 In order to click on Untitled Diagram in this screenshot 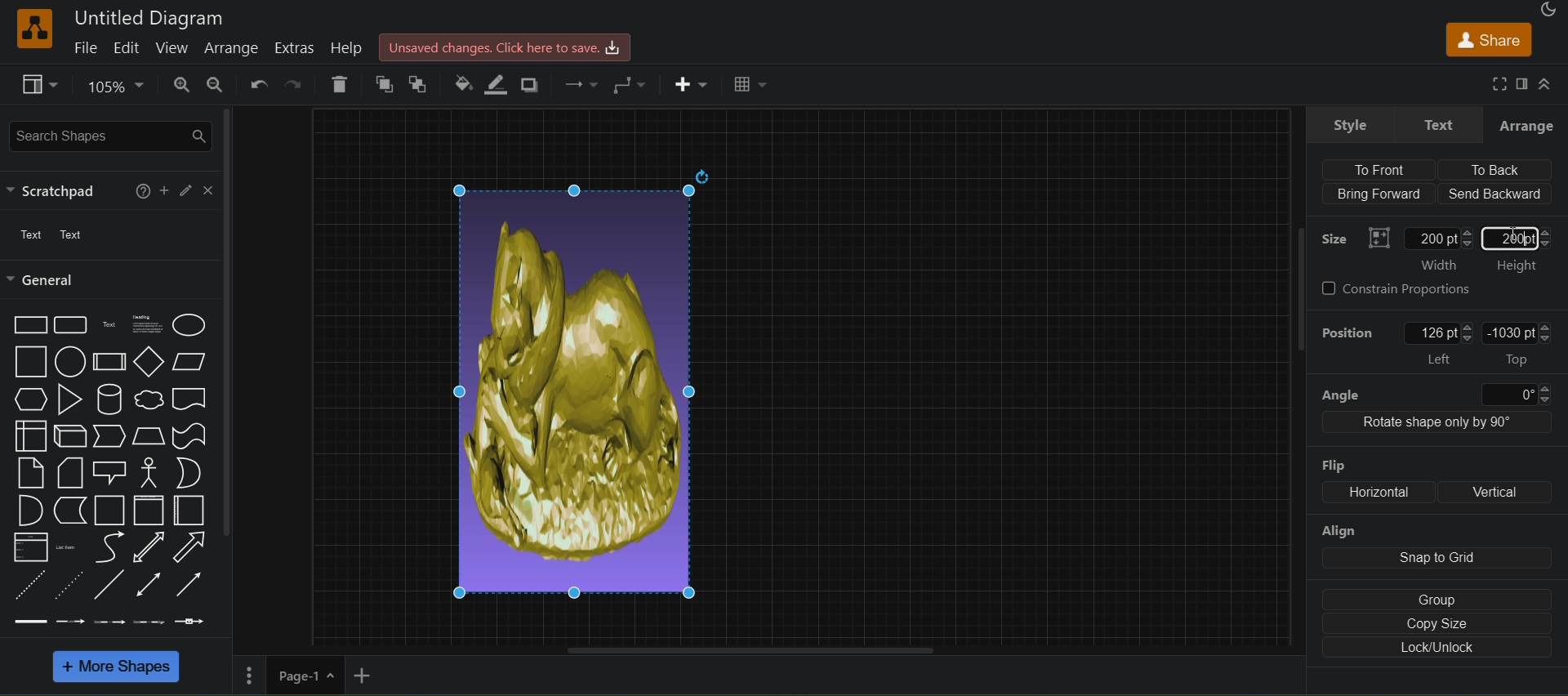, I will do `click(152, 19)`.